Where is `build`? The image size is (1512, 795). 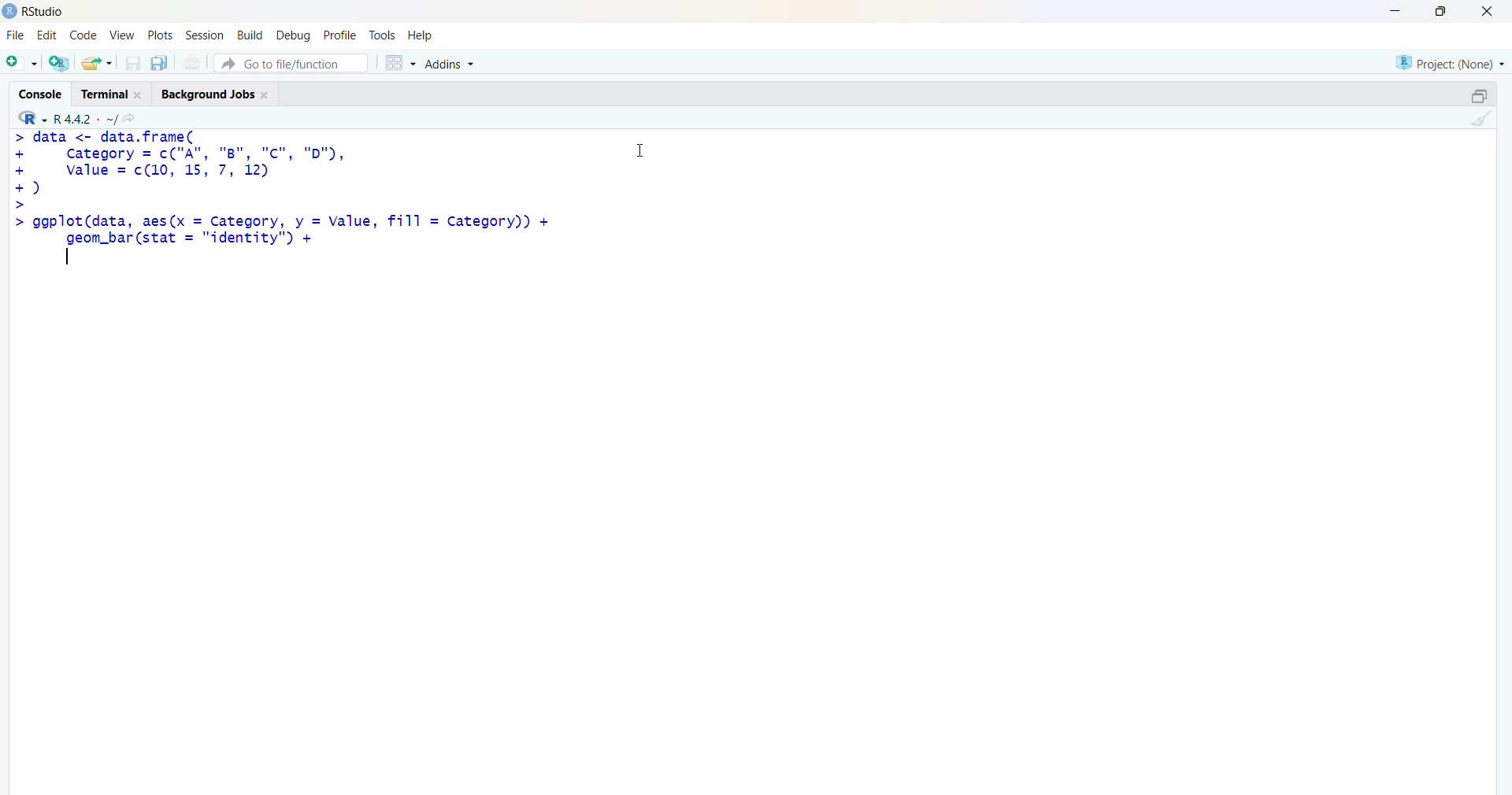 build is located at coordinates (249, 35).